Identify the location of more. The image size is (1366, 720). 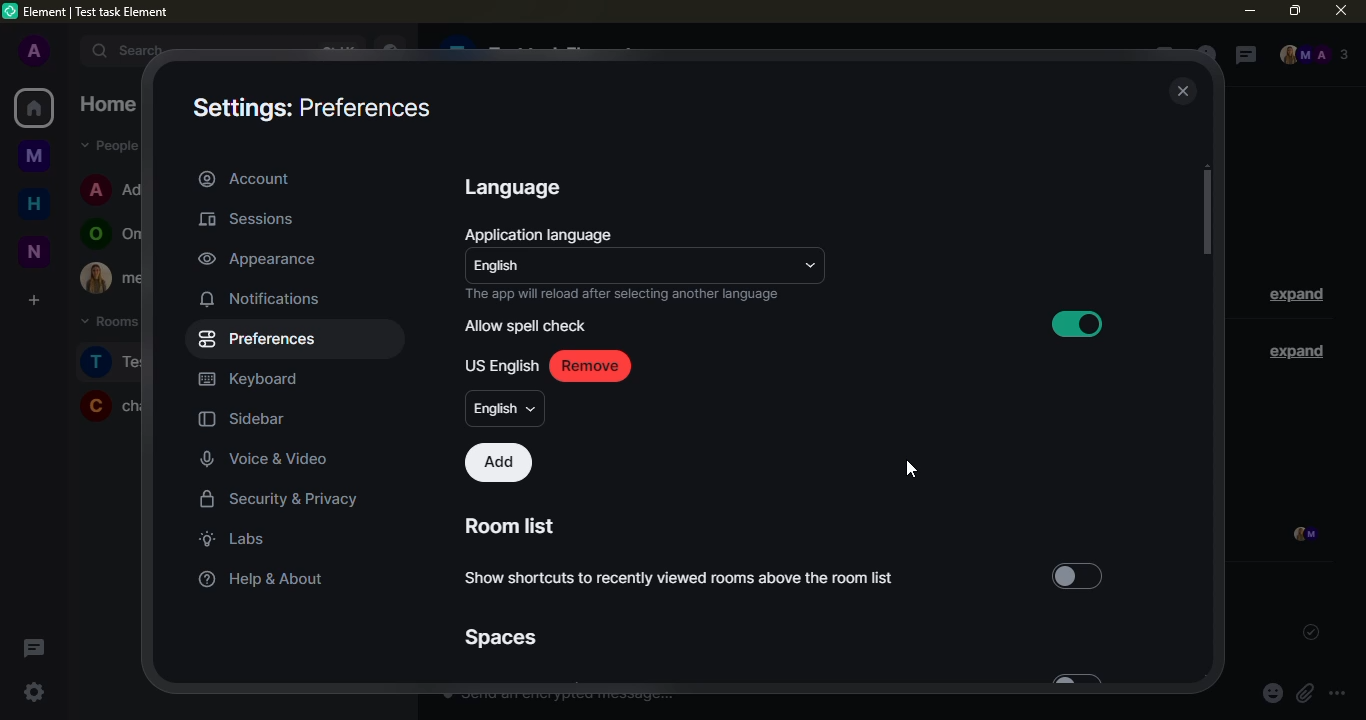
(1337, 694).